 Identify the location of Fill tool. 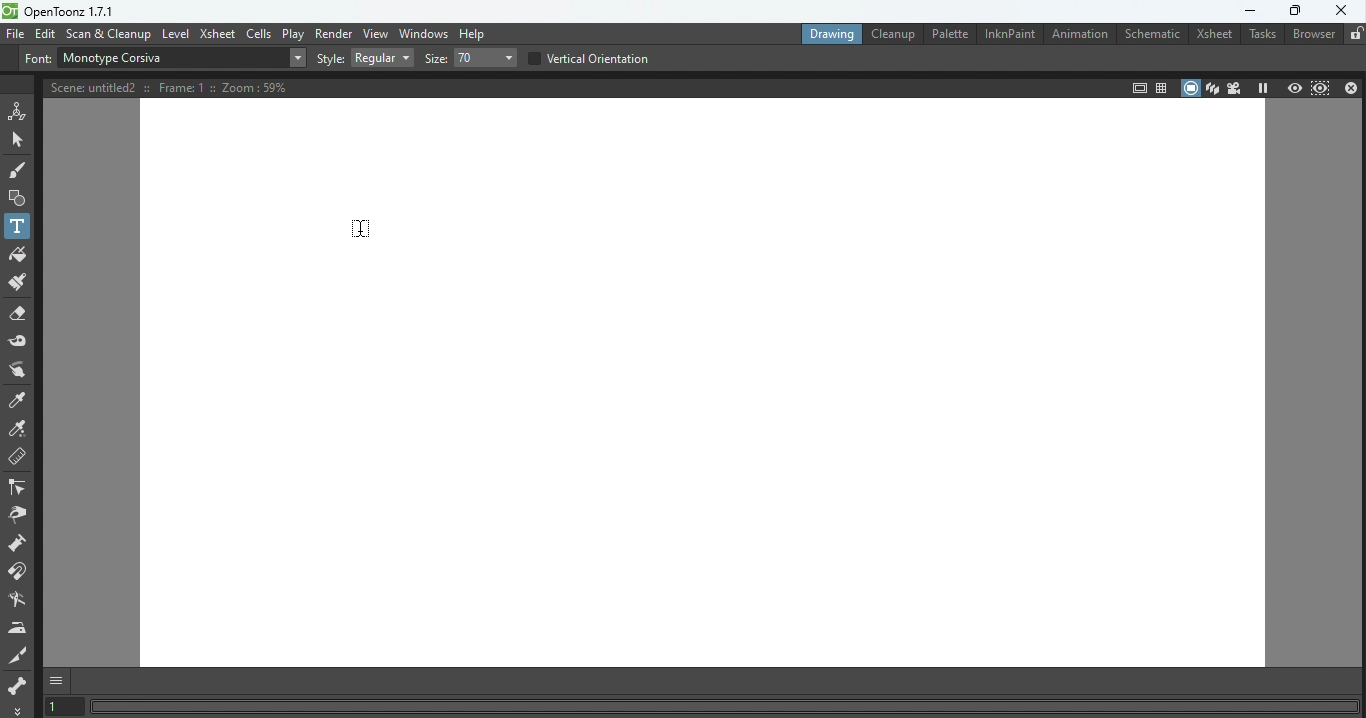
(18, 255).